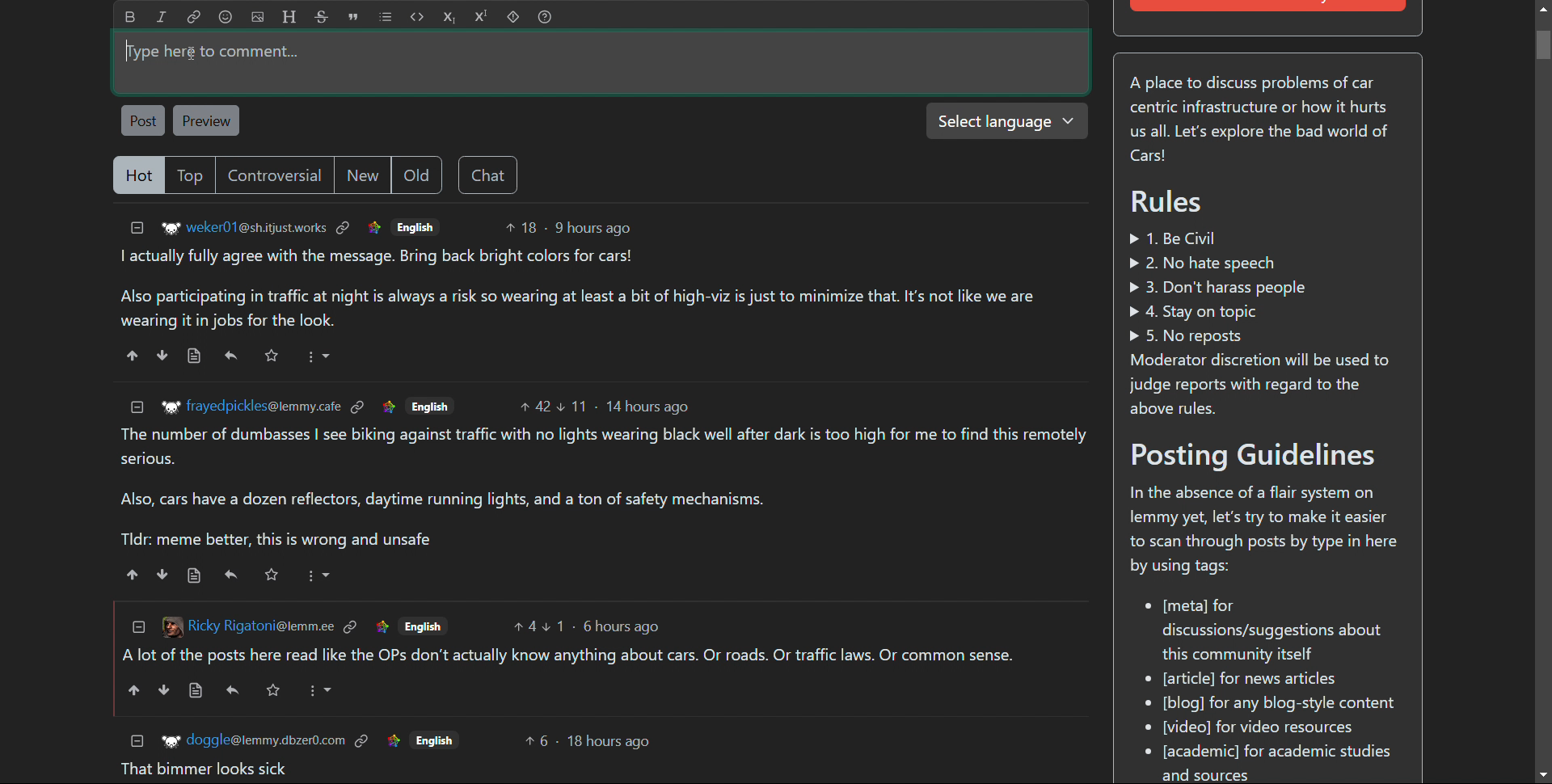 This screenshot has width=1552, height=784. What do you see at coordinates (536, 404) in the screenshot?
I see `upvotes 42` at bounding box center [536, 404].